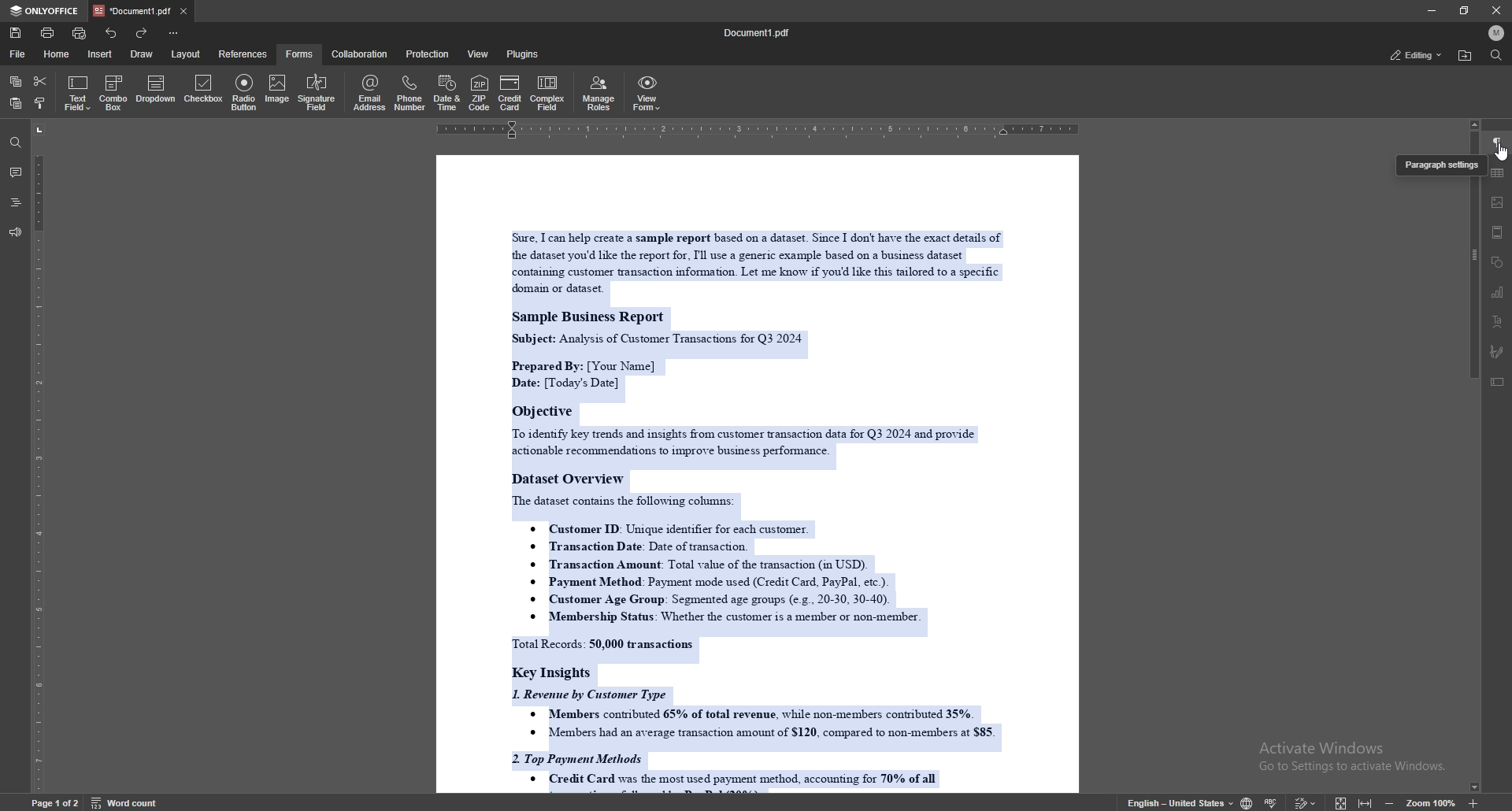 This screenshot has height=811, width=1512. Describe the element at coordinates (1498, 352) in the screenshot. I see `signature field` at that location.